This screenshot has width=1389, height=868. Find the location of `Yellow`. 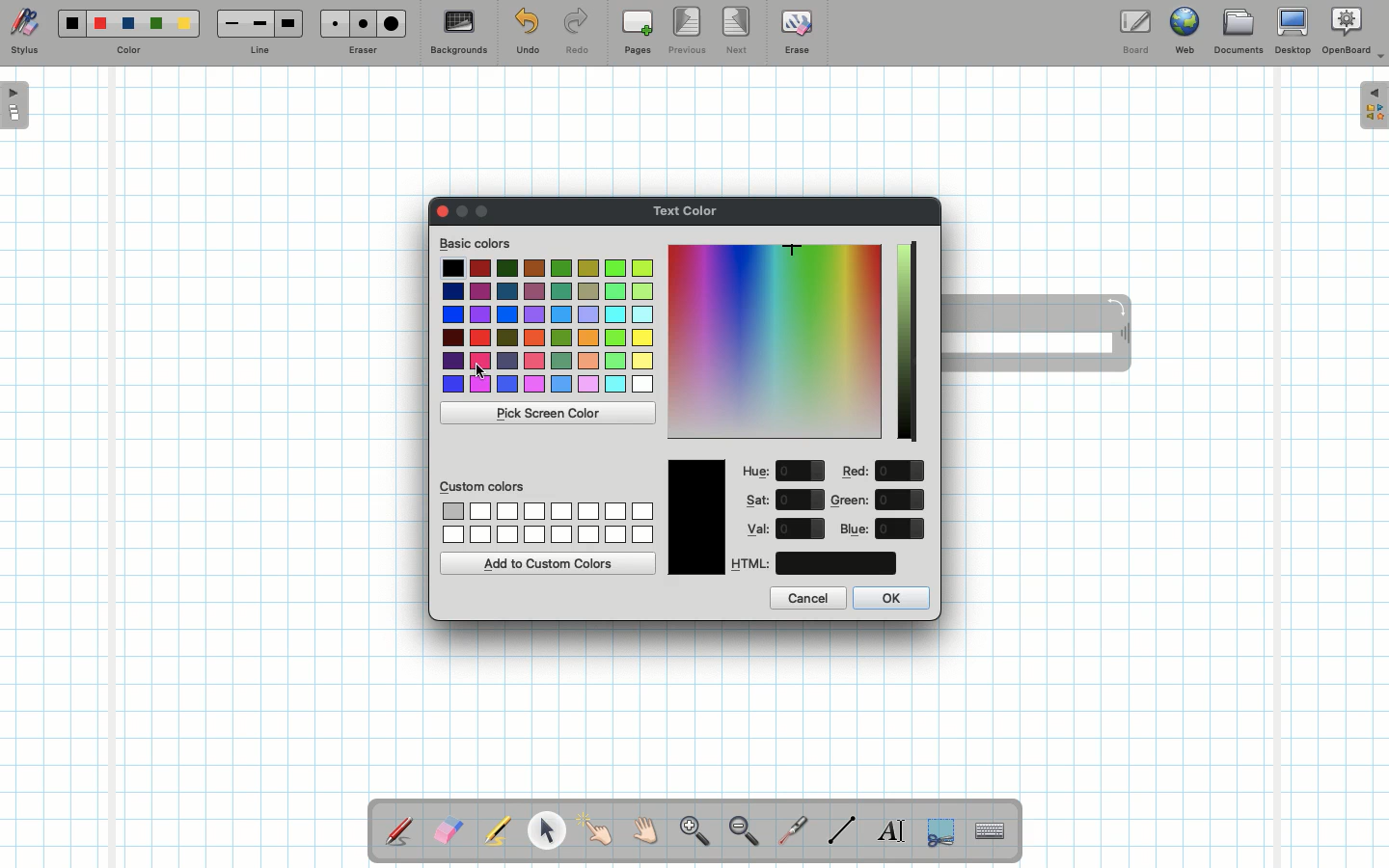

Yellow is located at coordinates (184, 23).